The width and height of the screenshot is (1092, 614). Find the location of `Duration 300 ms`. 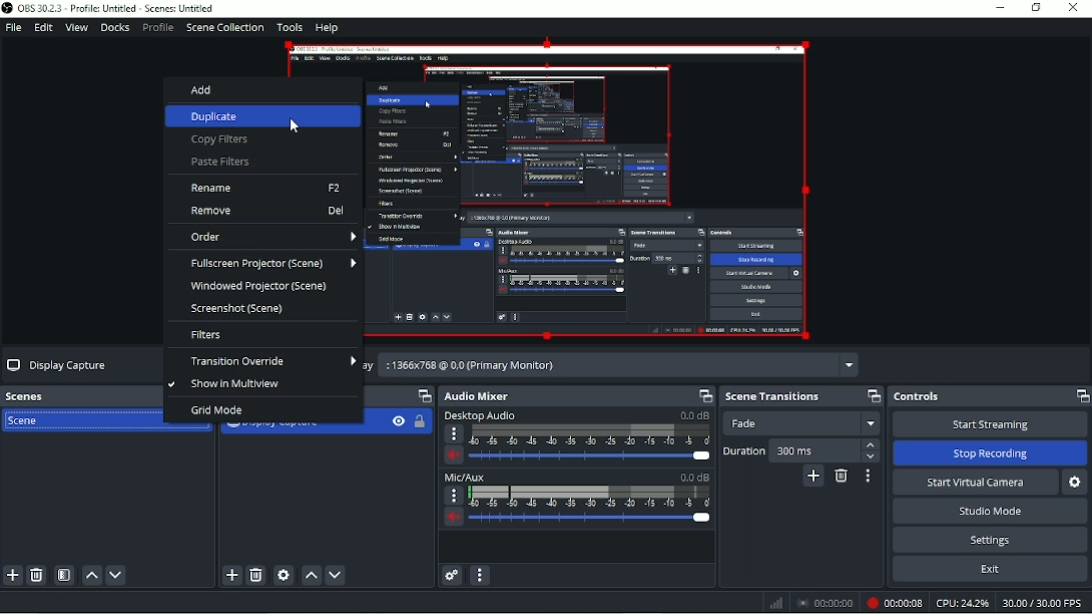

Duration 300 ms is located at coordinates (802, 450).